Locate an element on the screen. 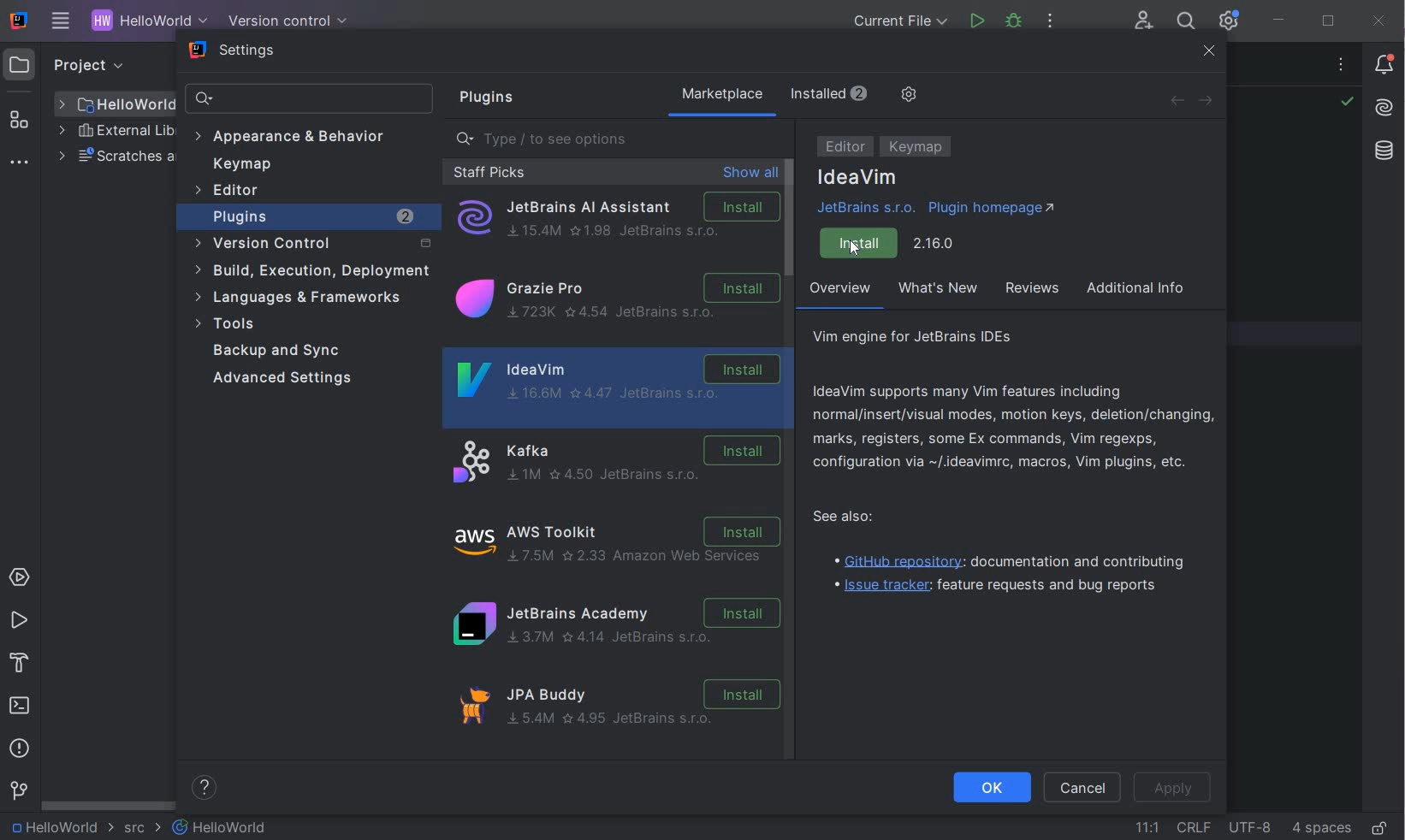 The width and height of the screenshot is (1405, 840). Issue tracker is located at coordinates (991, 587).